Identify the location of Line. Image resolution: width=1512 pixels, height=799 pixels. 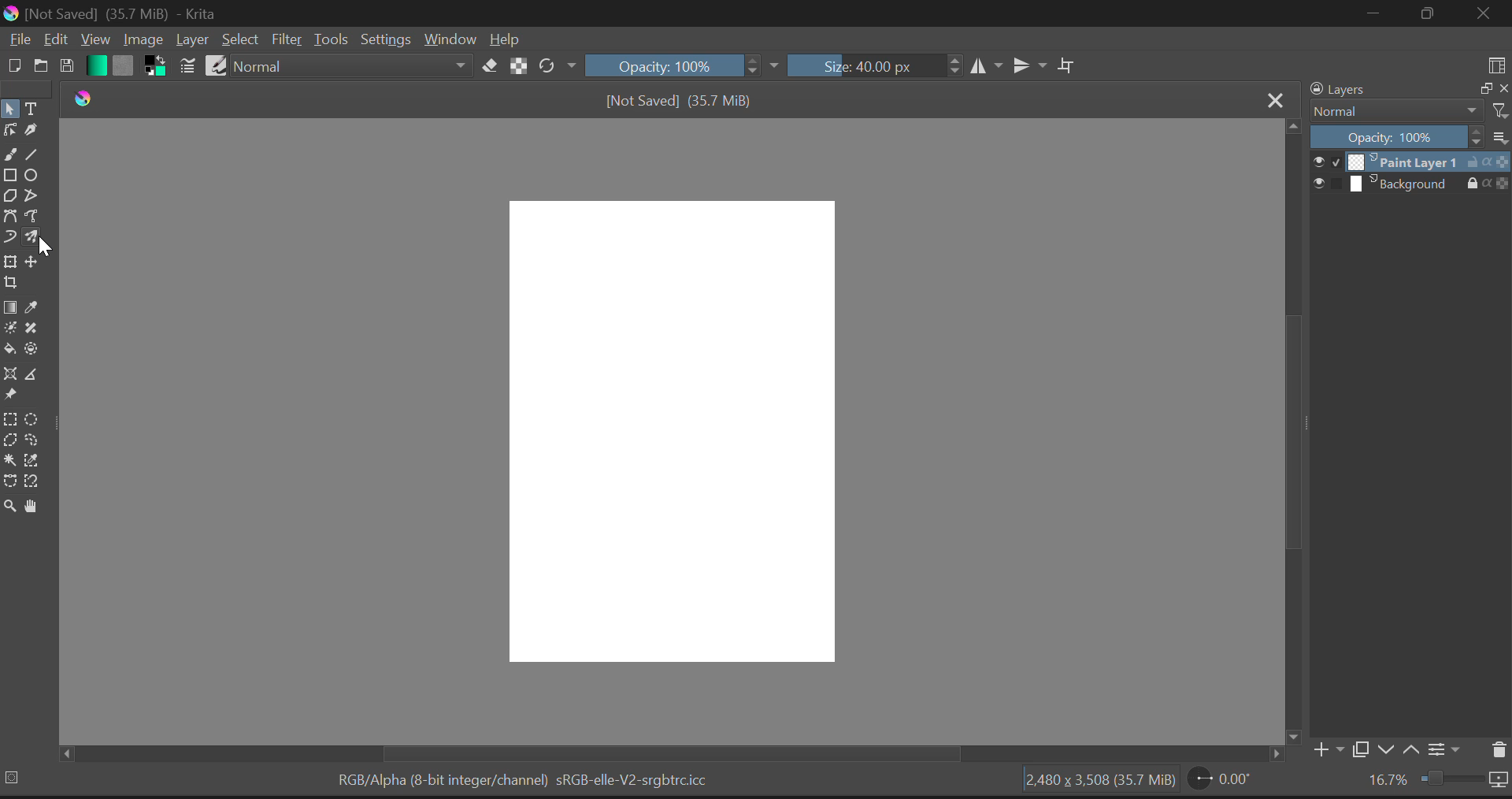
(35, 152).